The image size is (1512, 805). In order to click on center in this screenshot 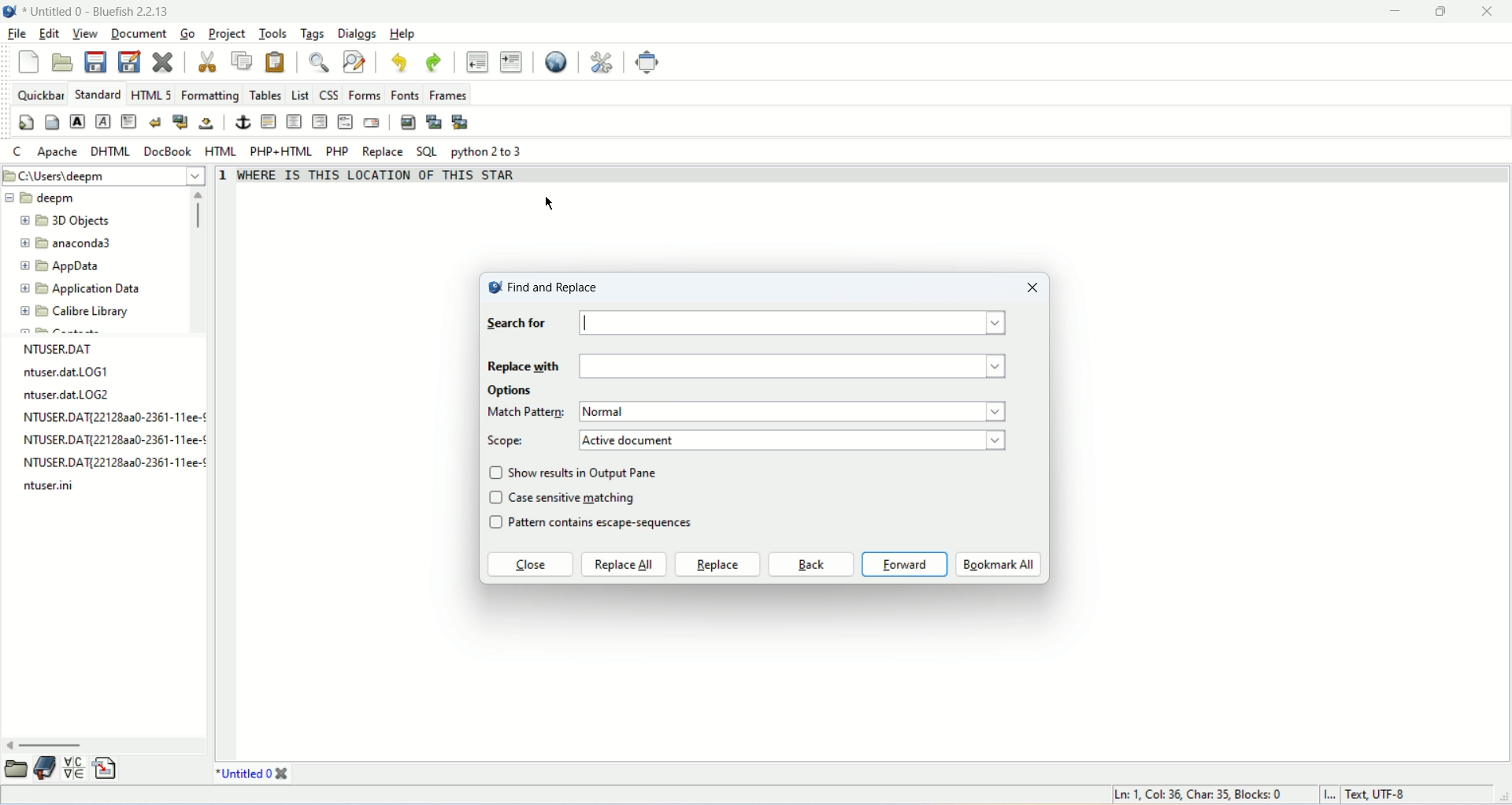, I will do `click(294, 122)`.